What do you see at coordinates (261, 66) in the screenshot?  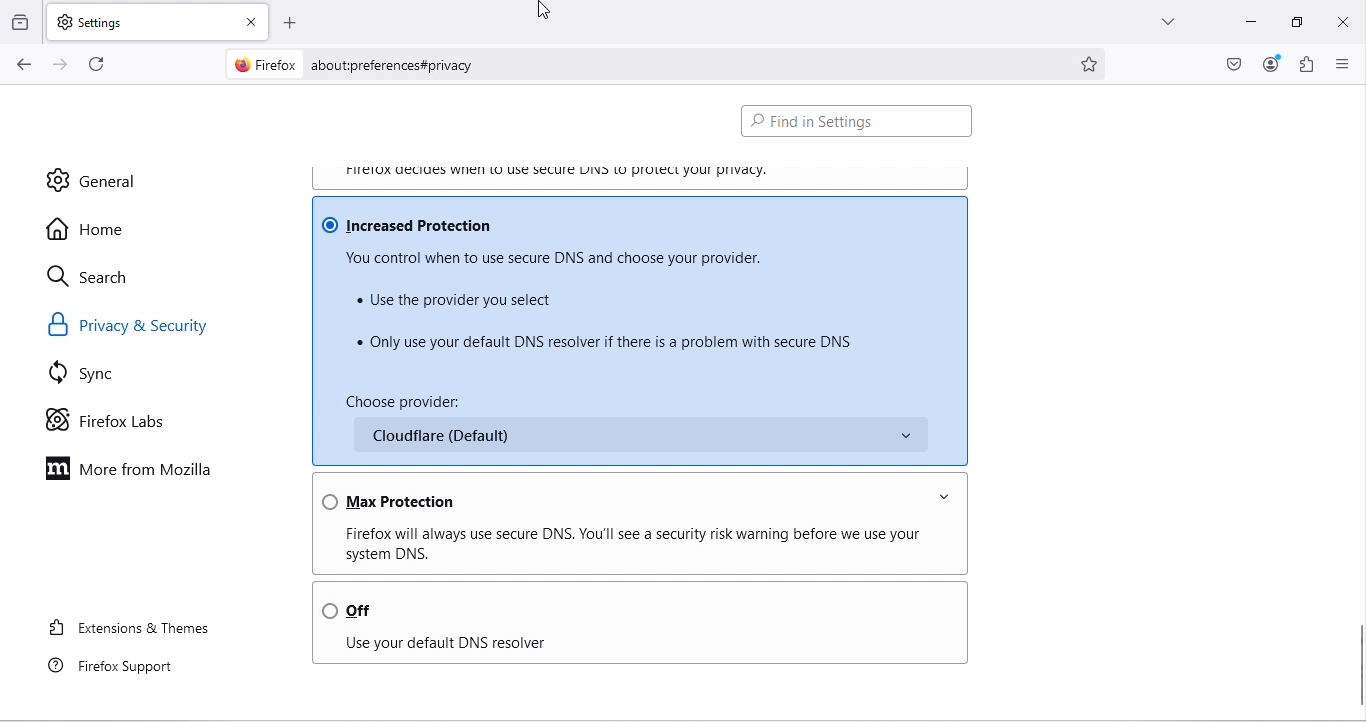 I see `Firefox` at bounding box center [261, 66].